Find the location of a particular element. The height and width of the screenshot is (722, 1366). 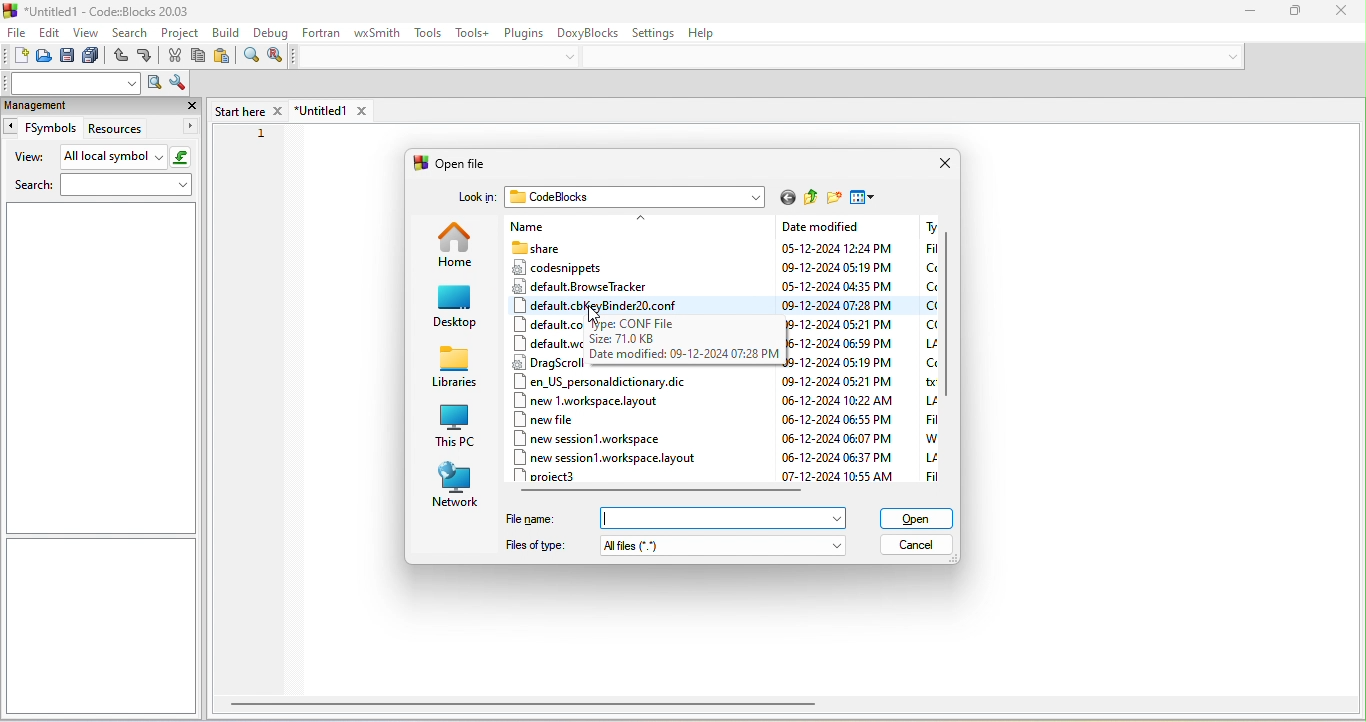

1 is located at coordinates (264, 134).